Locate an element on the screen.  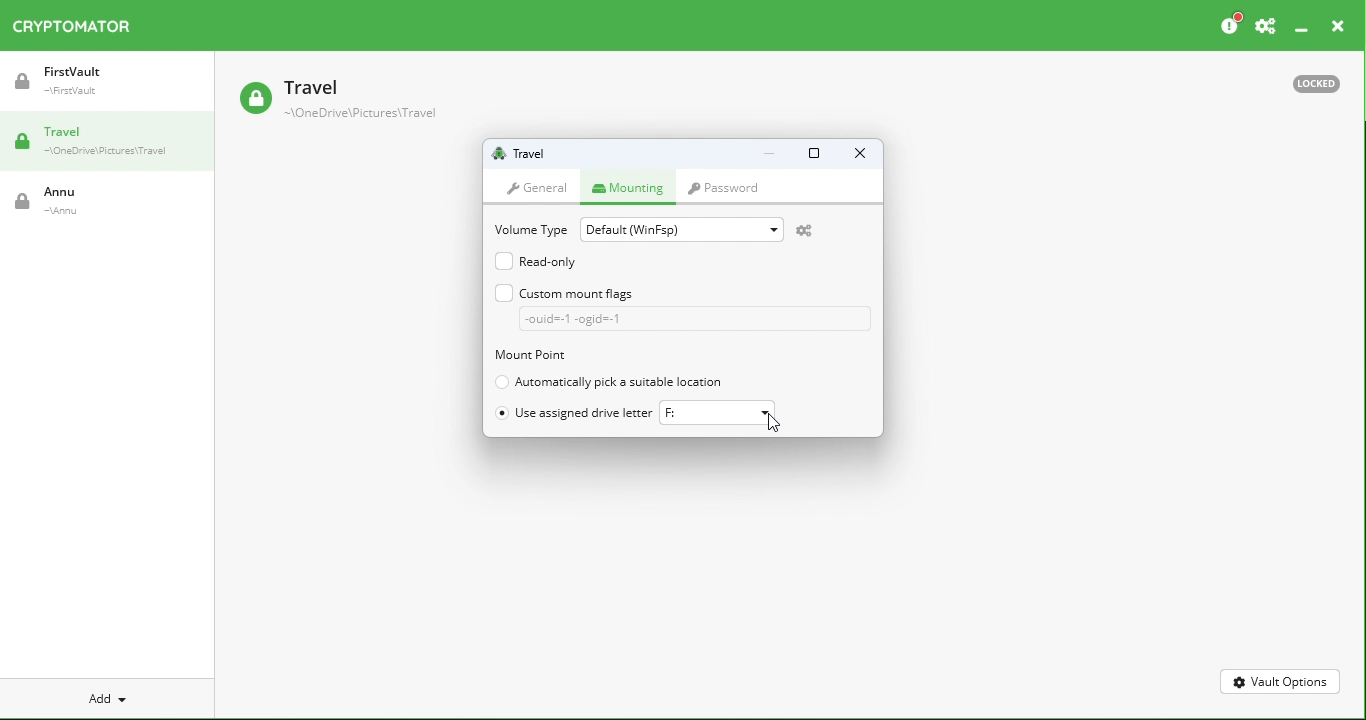
Preferences is located at coordinates (1265, 23).